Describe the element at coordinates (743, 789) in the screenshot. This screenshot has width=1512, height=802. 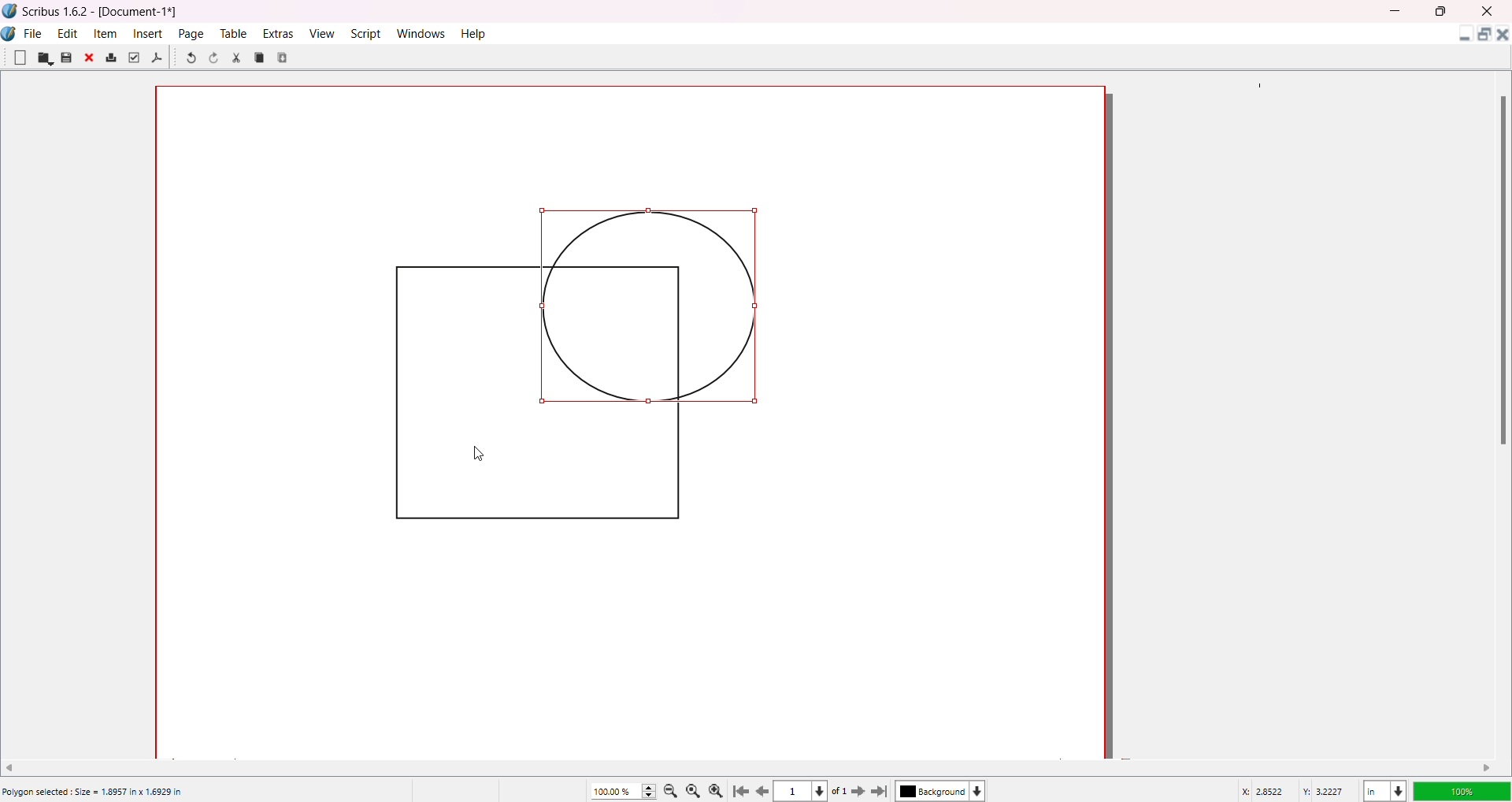
I see `First Page` at that location.